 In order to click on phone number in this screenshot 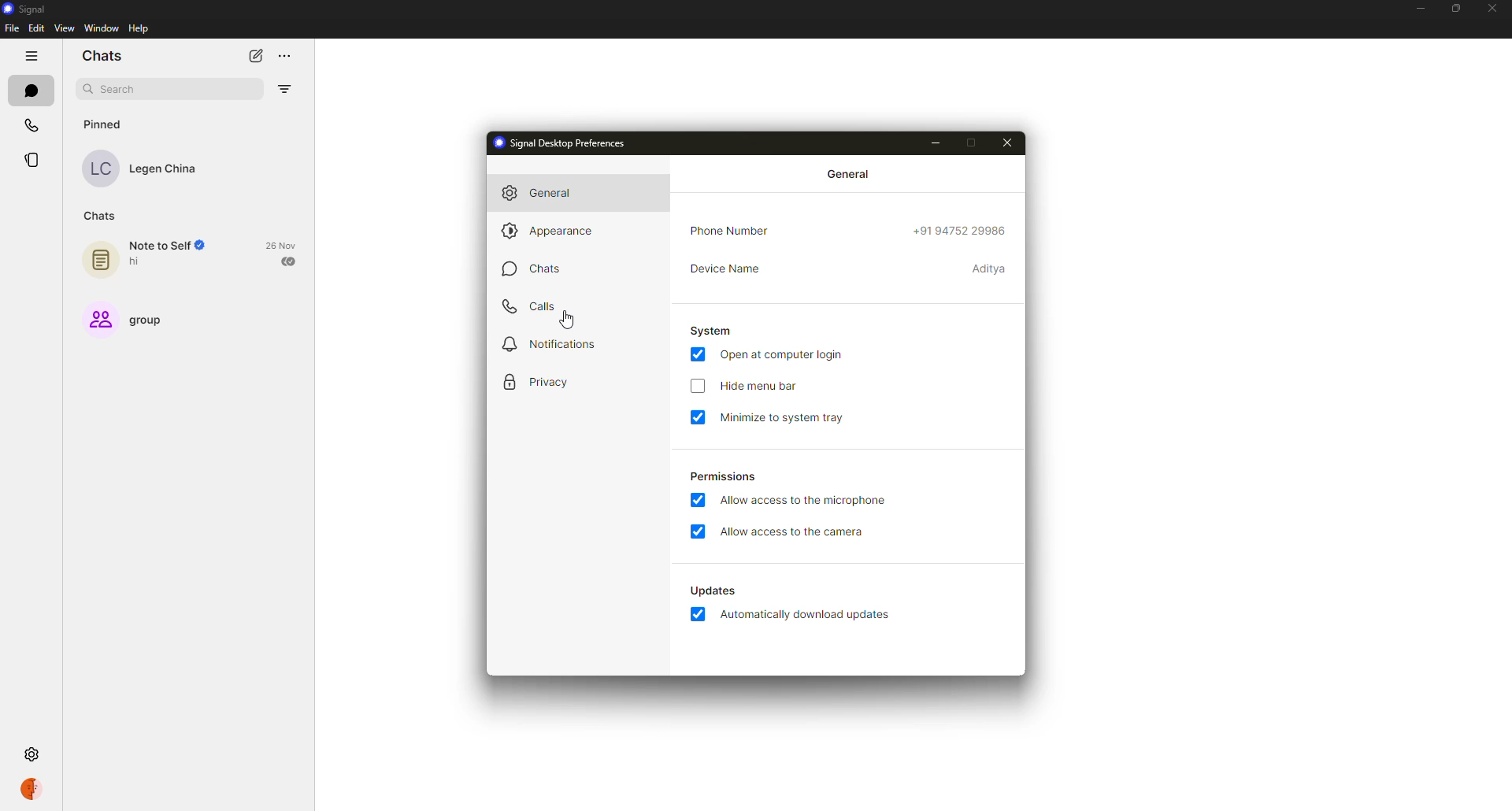, I will do `click(731, 231)`.